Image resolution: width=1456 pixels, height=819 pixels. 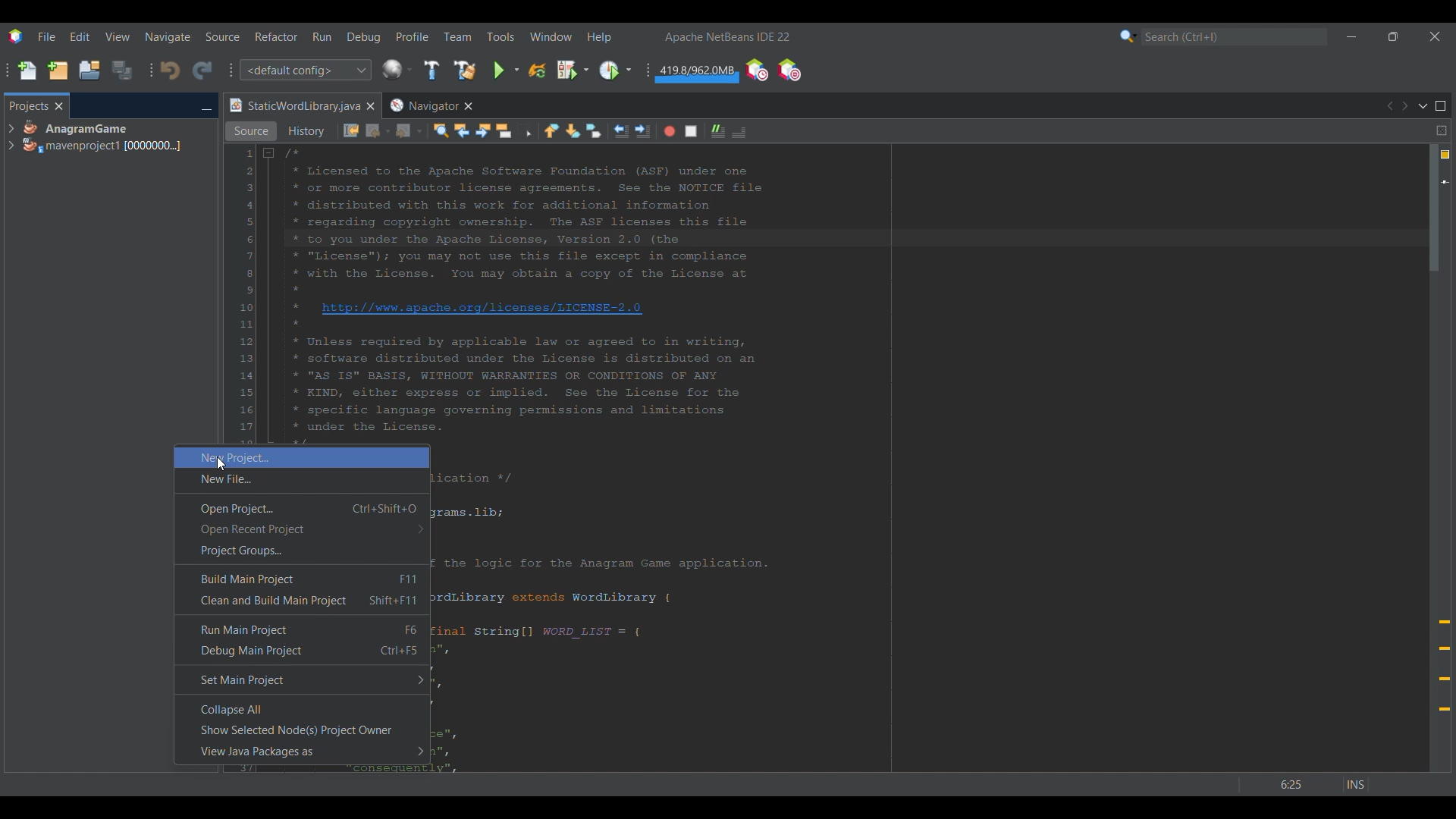 What do you see at coordinates (1404, 106) in the screenshot?
I see `Next` at bounding box center [1404, 106].